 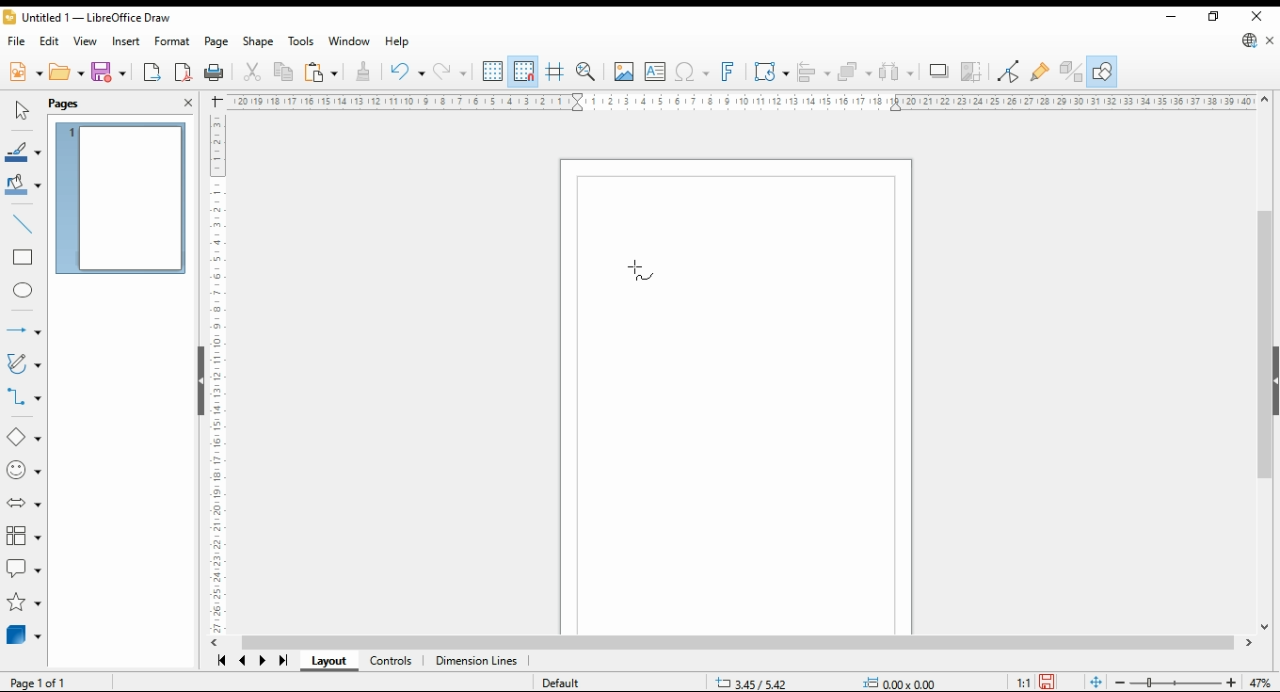 What do you see at coordinates (217, 42) in the screenshot?
I see `page` at bounding box center [217, 42].